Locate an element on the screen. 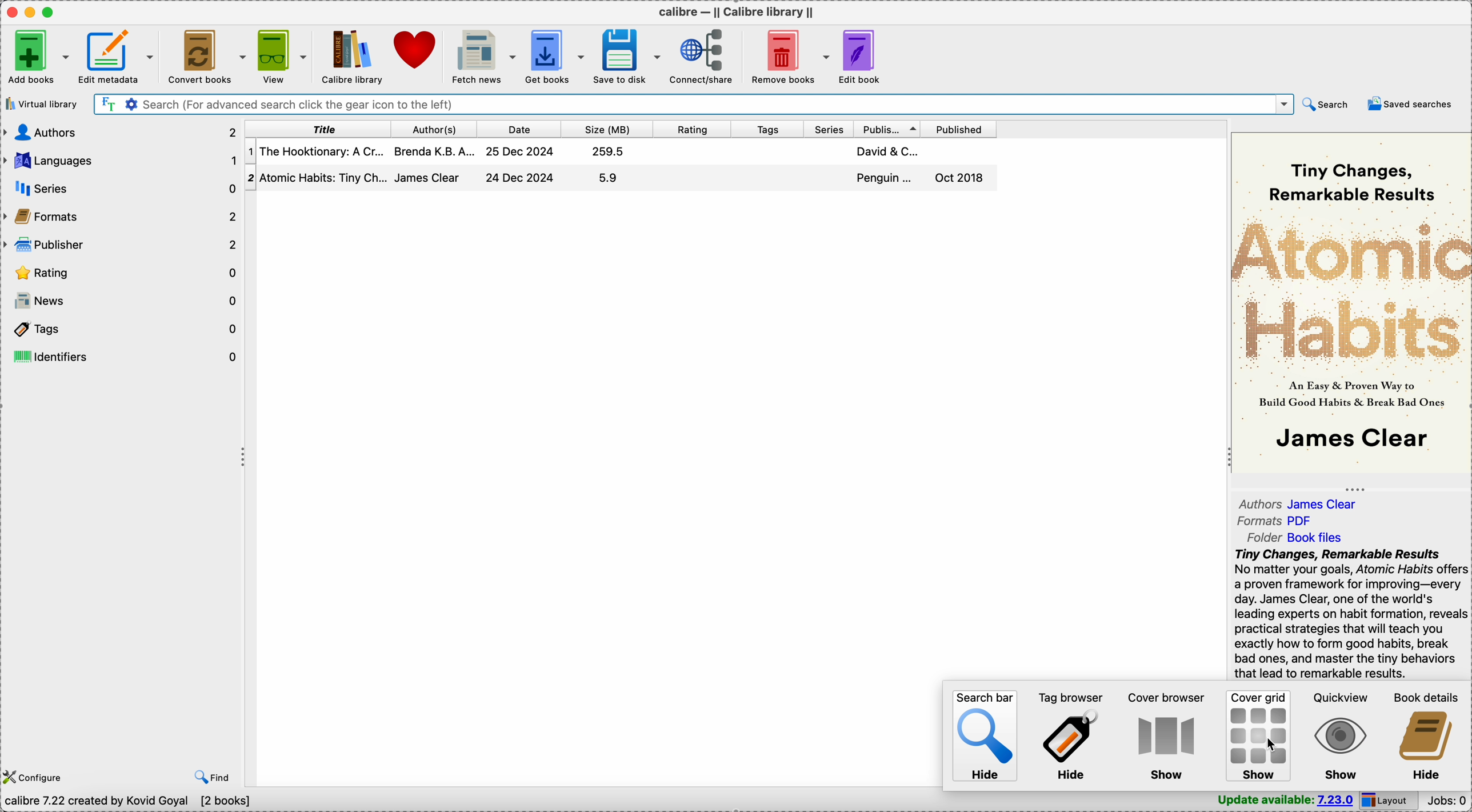 The image size is (1472, 812). 2 is located at coordinates (251, 178).